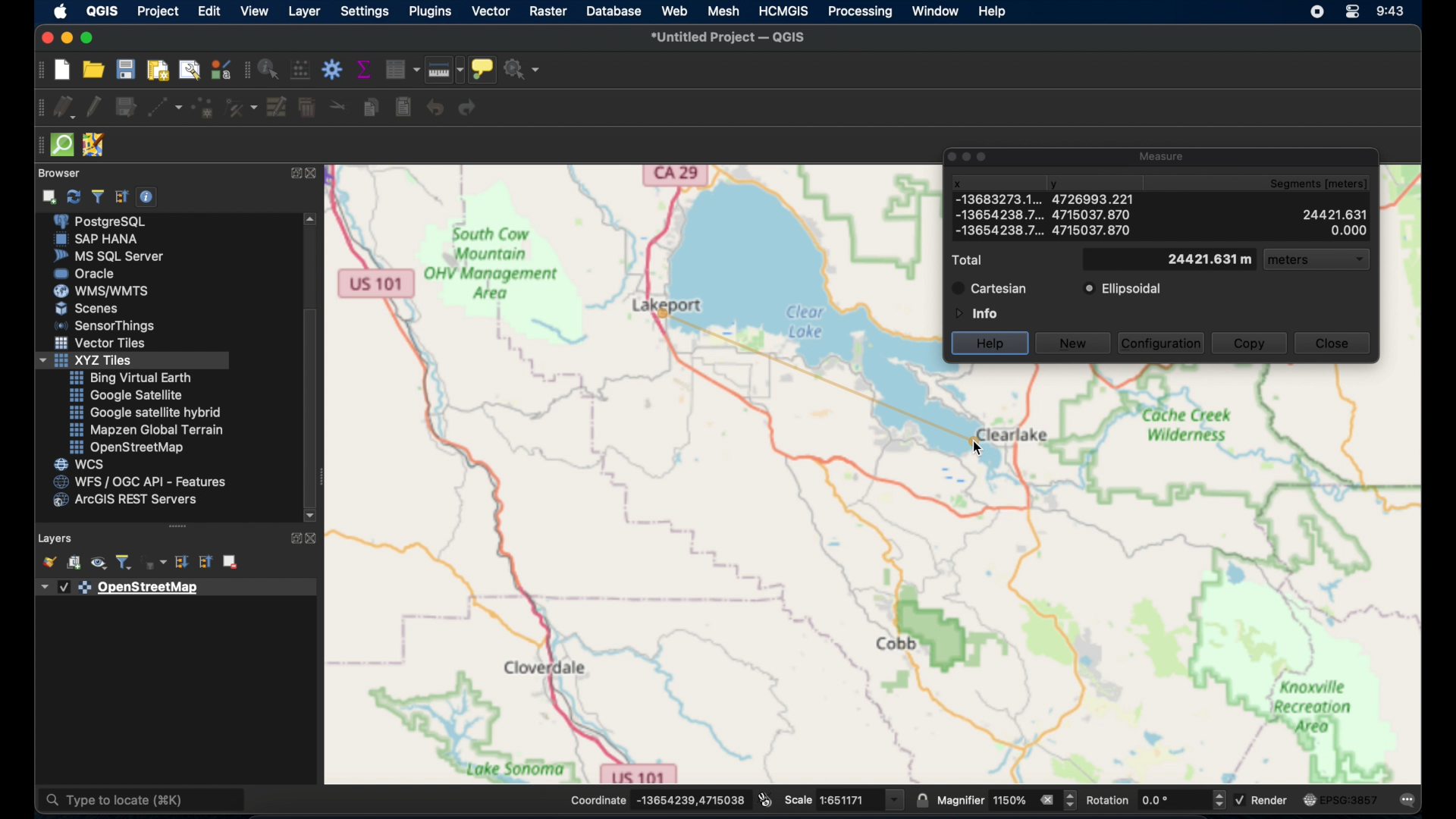 The image size is (1456, 819). I want to click on digitizing toolbar, so click(36, 111).